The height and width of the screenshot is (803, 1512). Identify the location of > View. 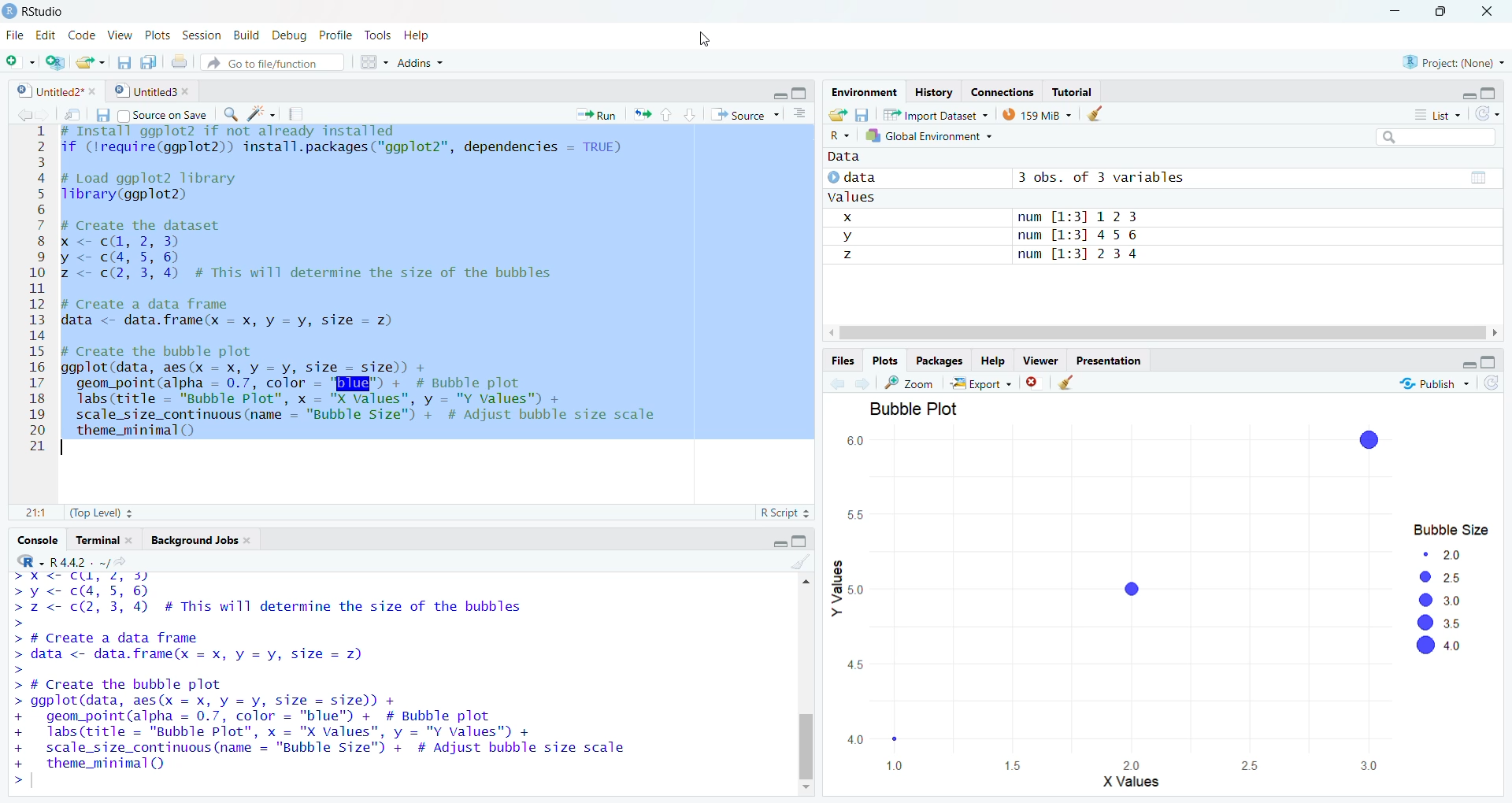
(122, 35).